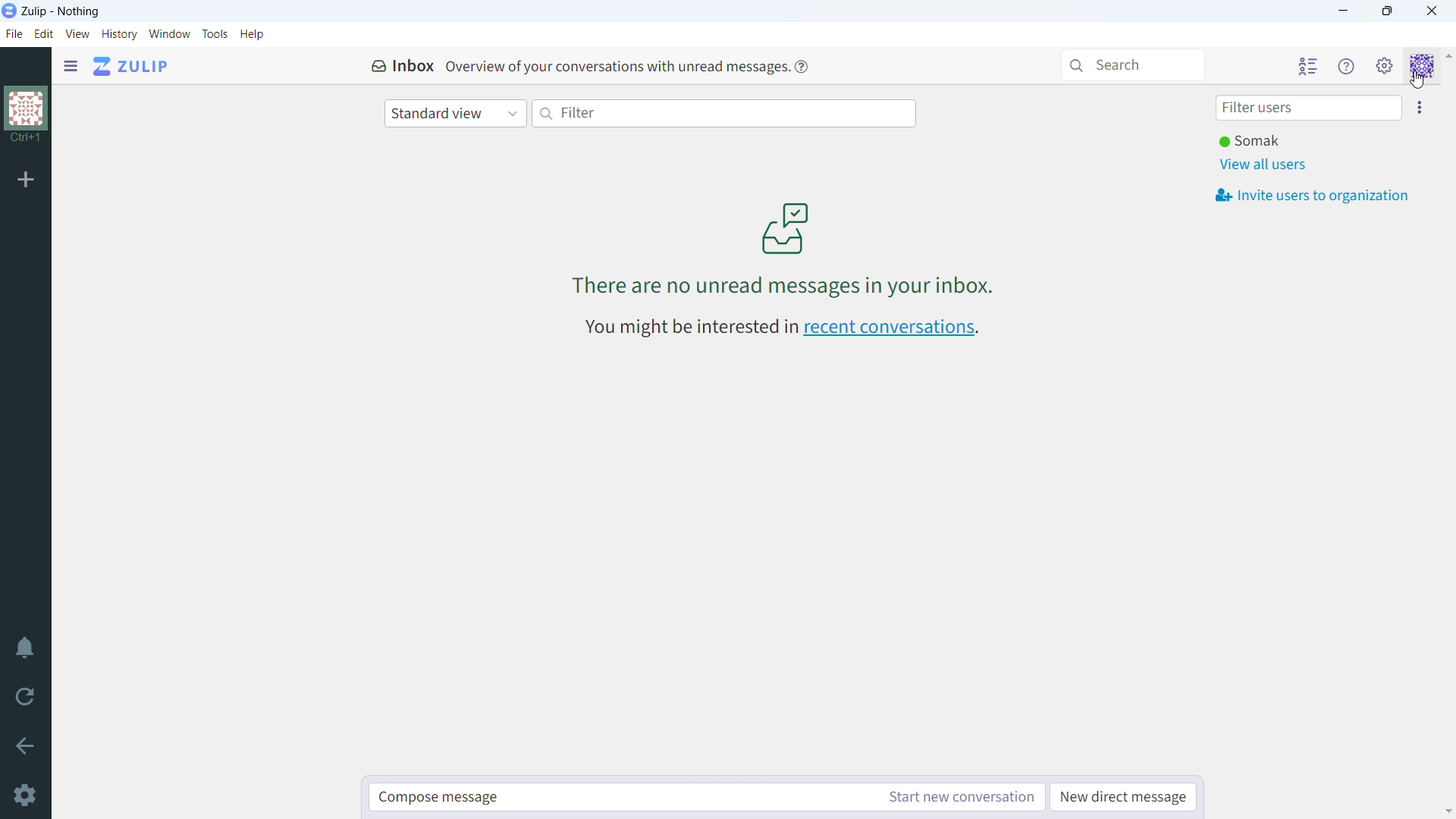 The image size is (1456, 819). What do you see at coordinates (71, 66) in the screenshot?
I see `click to see sidebar menu` at bounding box center [71, 66].